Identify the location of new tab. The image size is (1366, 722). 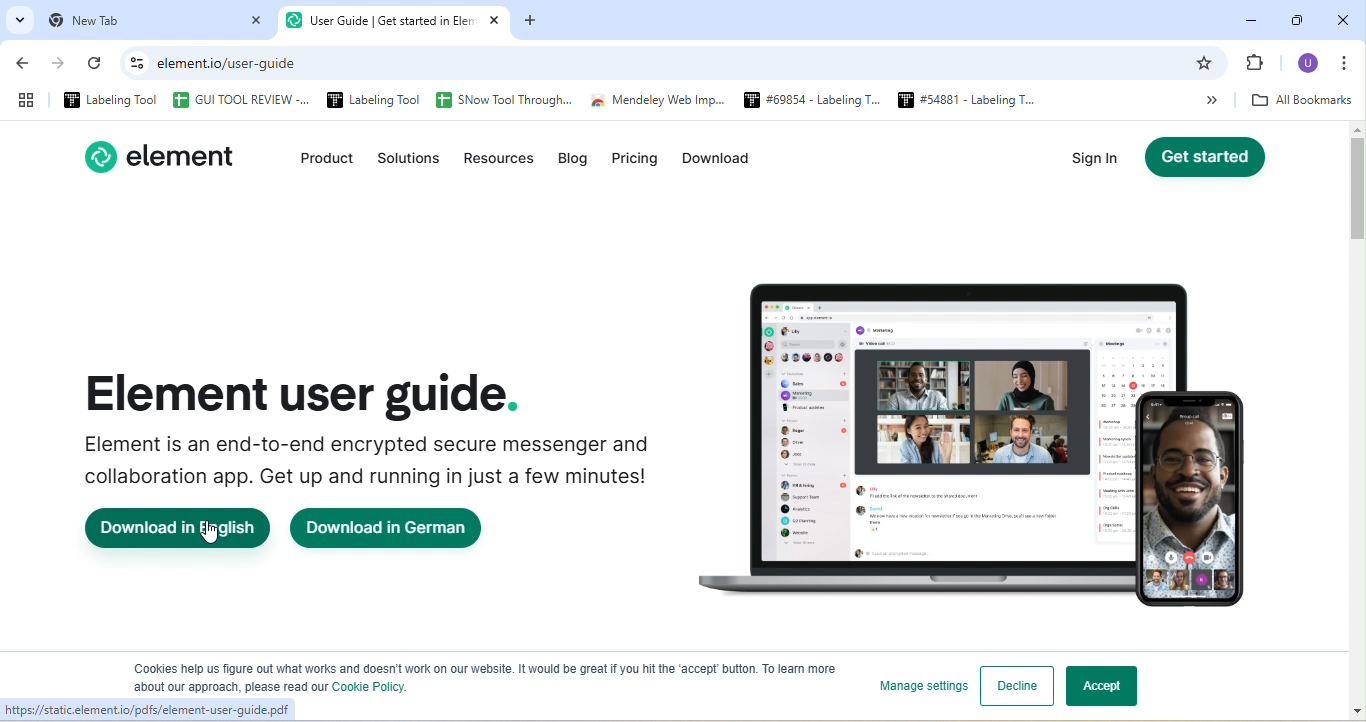
(154, 21).